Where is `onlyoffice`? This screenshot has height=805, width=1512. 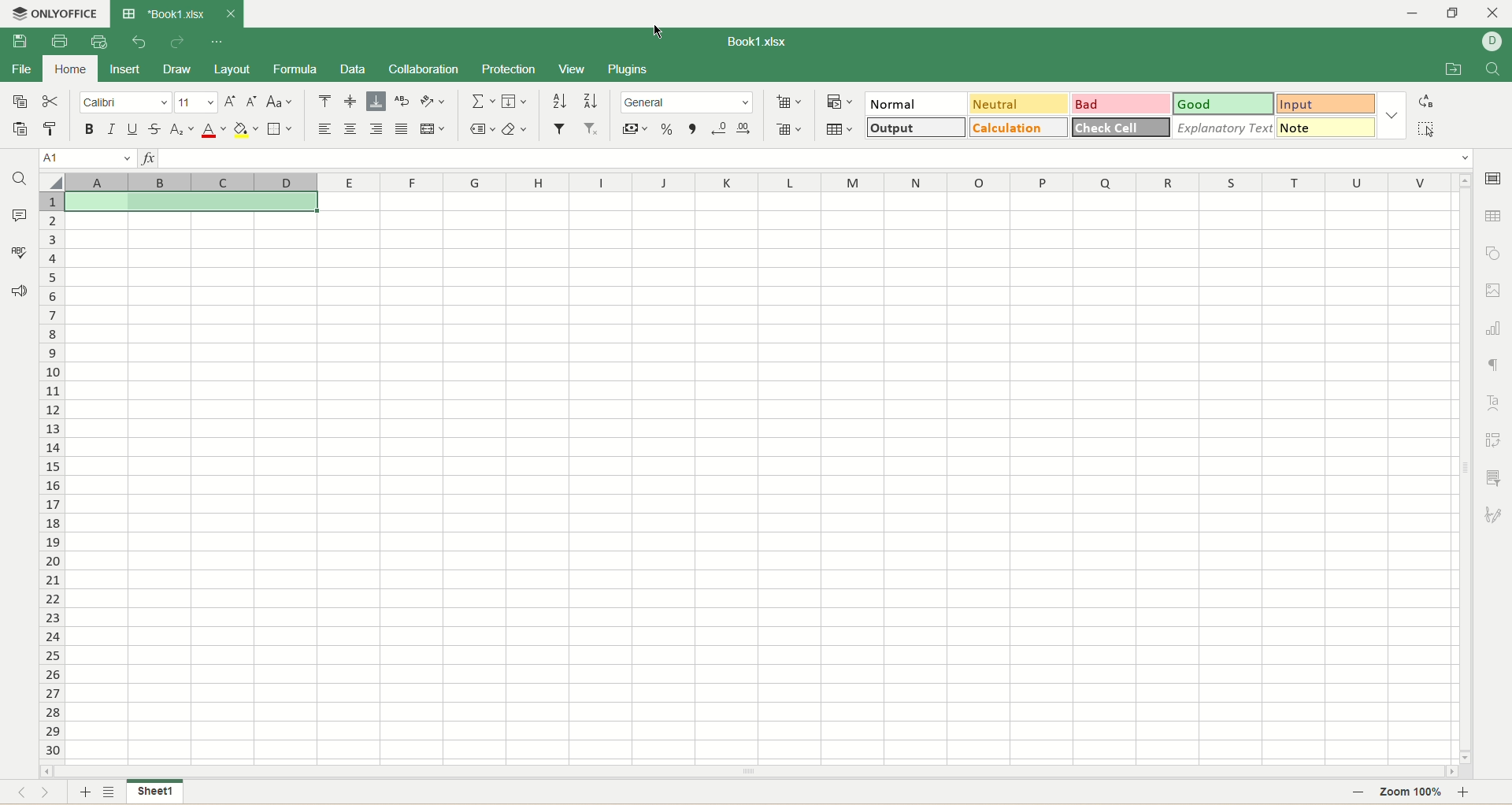
onlyoffice is located at coordinates (55, 14).